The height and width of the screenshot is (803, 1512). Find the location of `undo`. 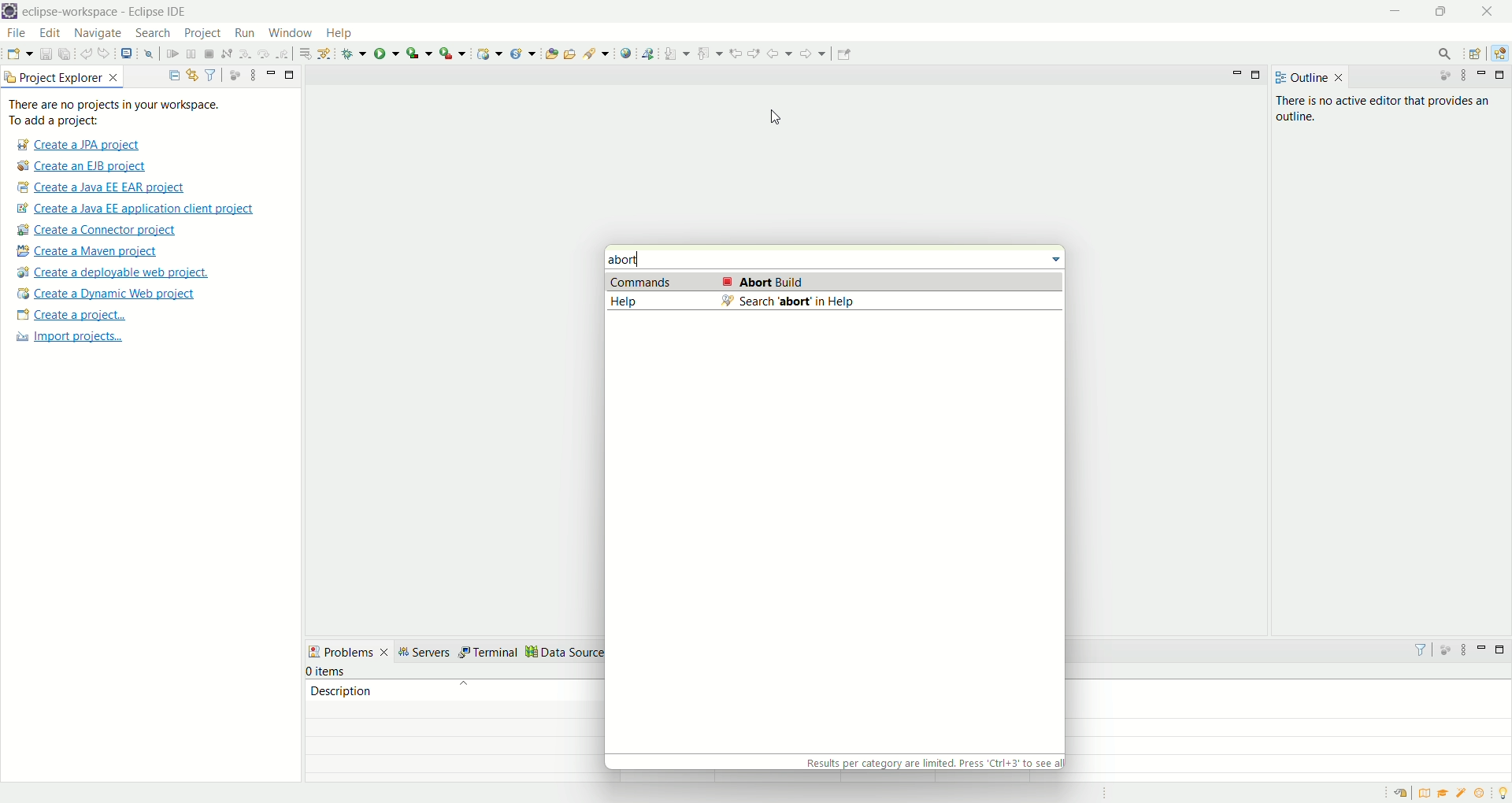

undo is located at coordinates (83, 54).